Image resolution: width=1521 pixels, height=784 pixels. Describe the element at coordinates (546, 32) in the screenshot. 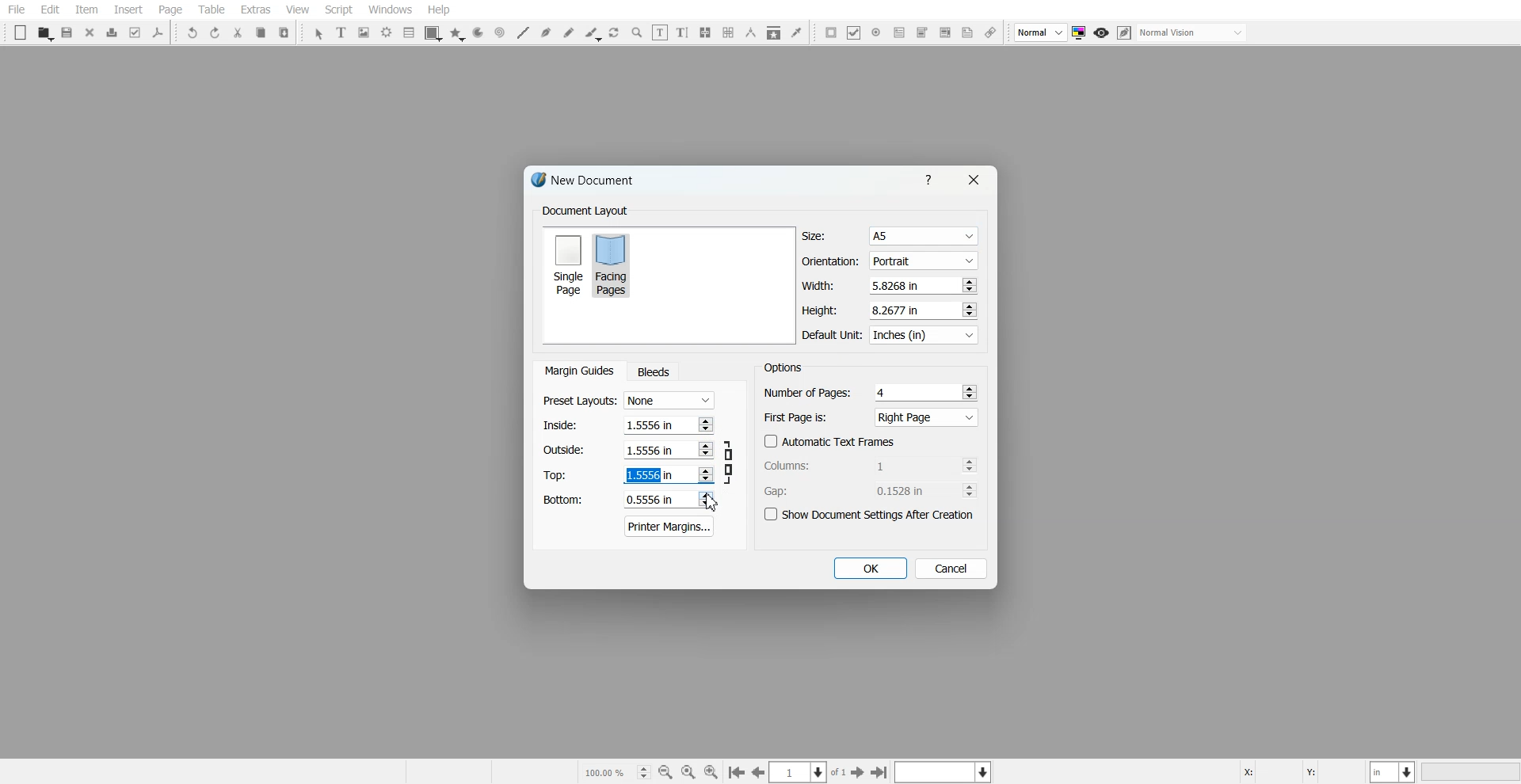

I see `Bezier curve` at that location.